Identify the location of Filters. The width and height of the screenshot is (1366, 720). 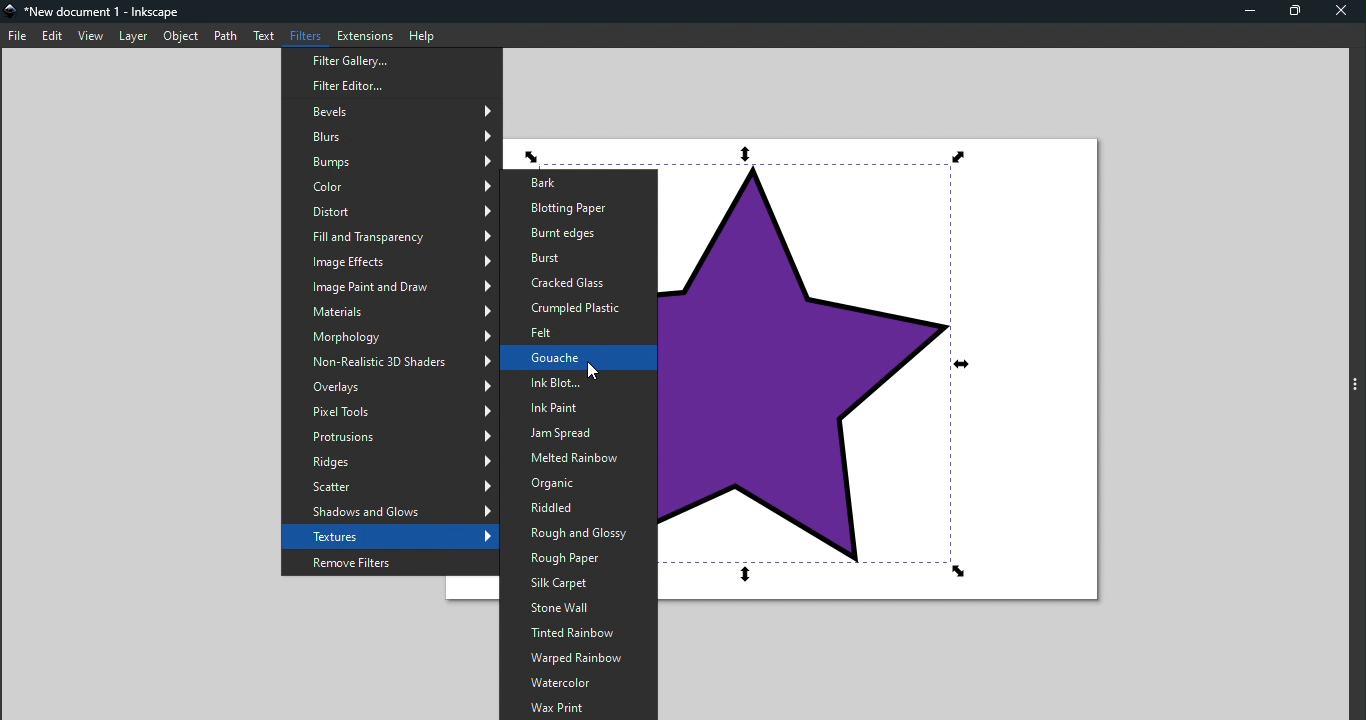
(303, 35).